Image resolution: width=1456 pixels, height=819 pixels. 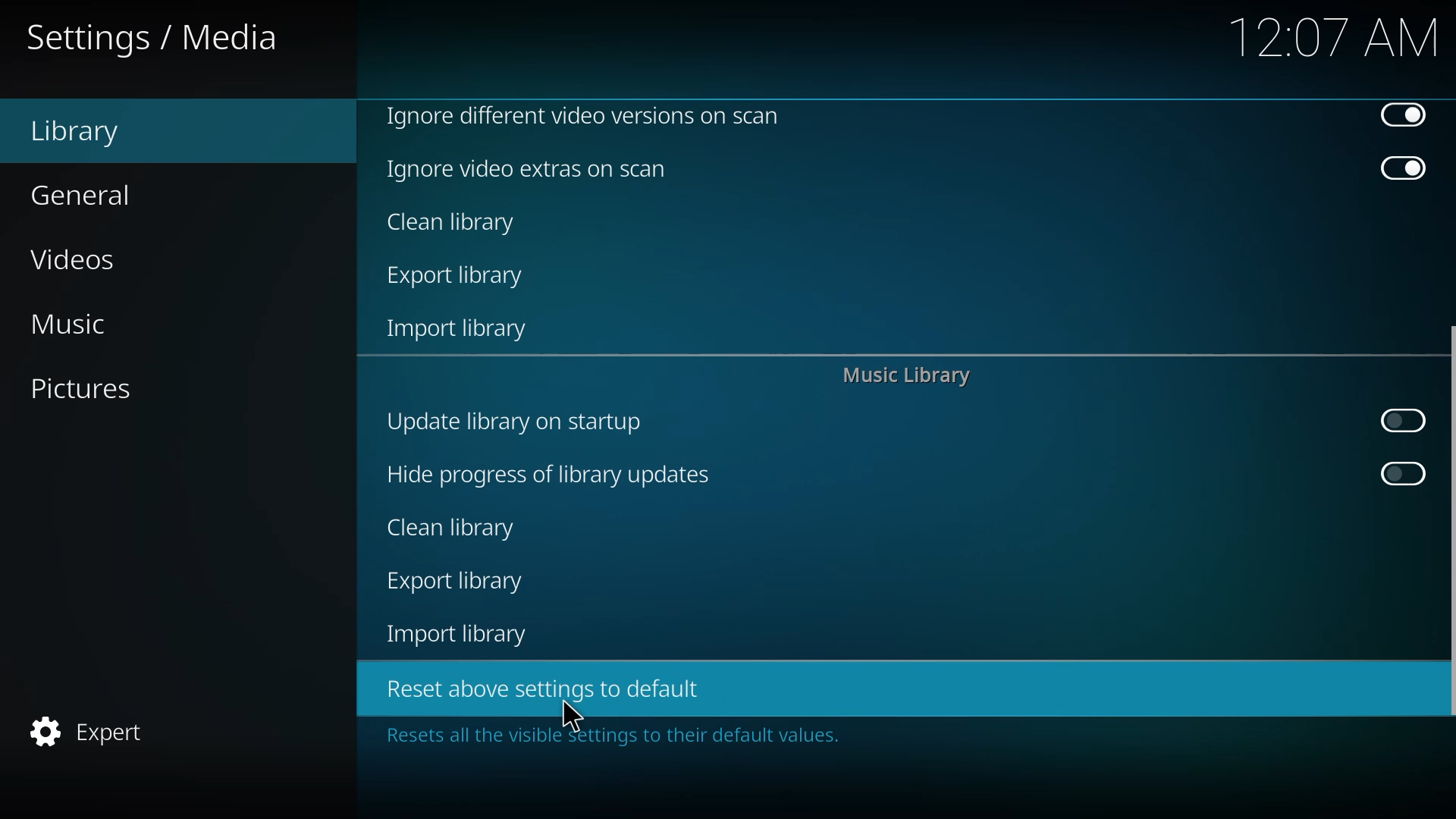 What do you see at coordinates (460, 331) in the screenshot?
I see `import` at bounding box center [460, 331].